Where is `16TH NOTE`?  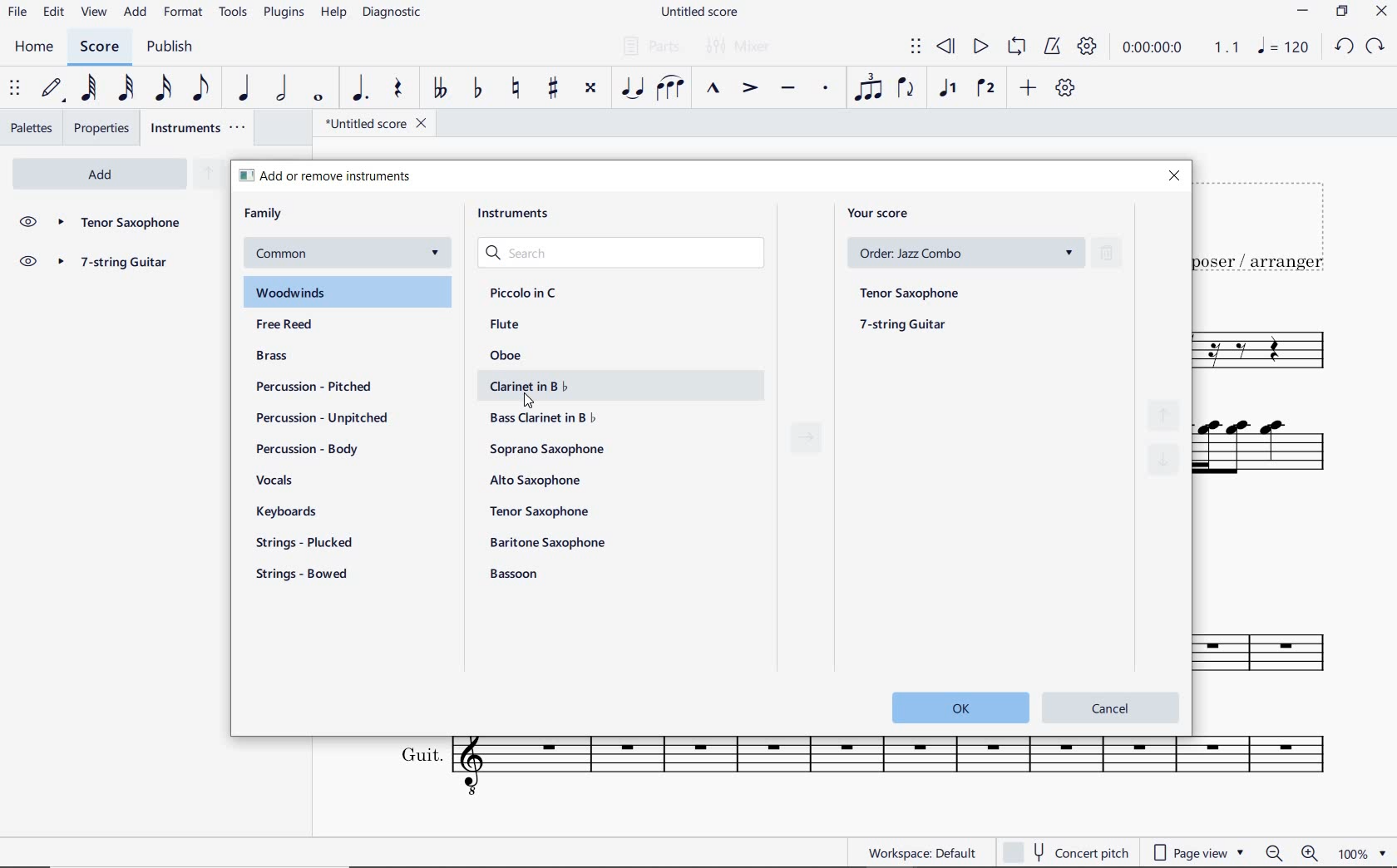 16TH NOTE is located at coordinates (165, 87).